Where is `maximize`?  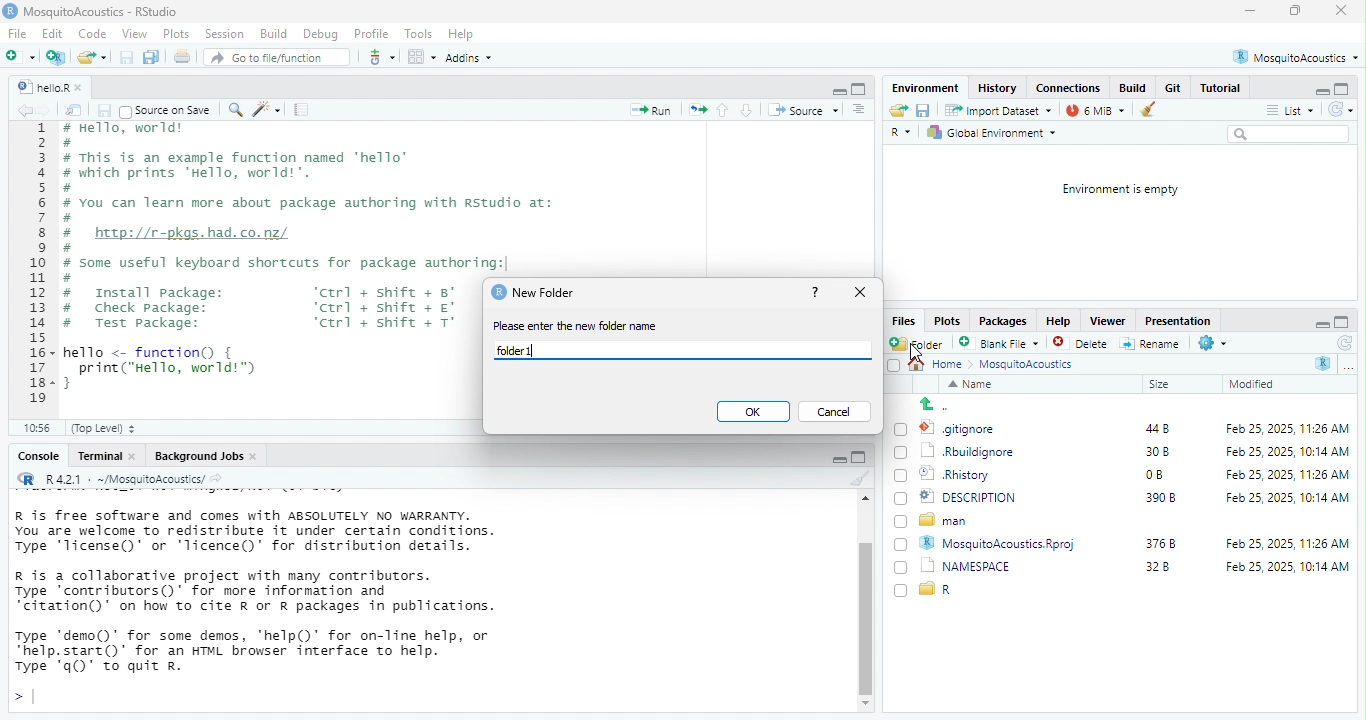 maximize is located at coordinates (1296, 11).